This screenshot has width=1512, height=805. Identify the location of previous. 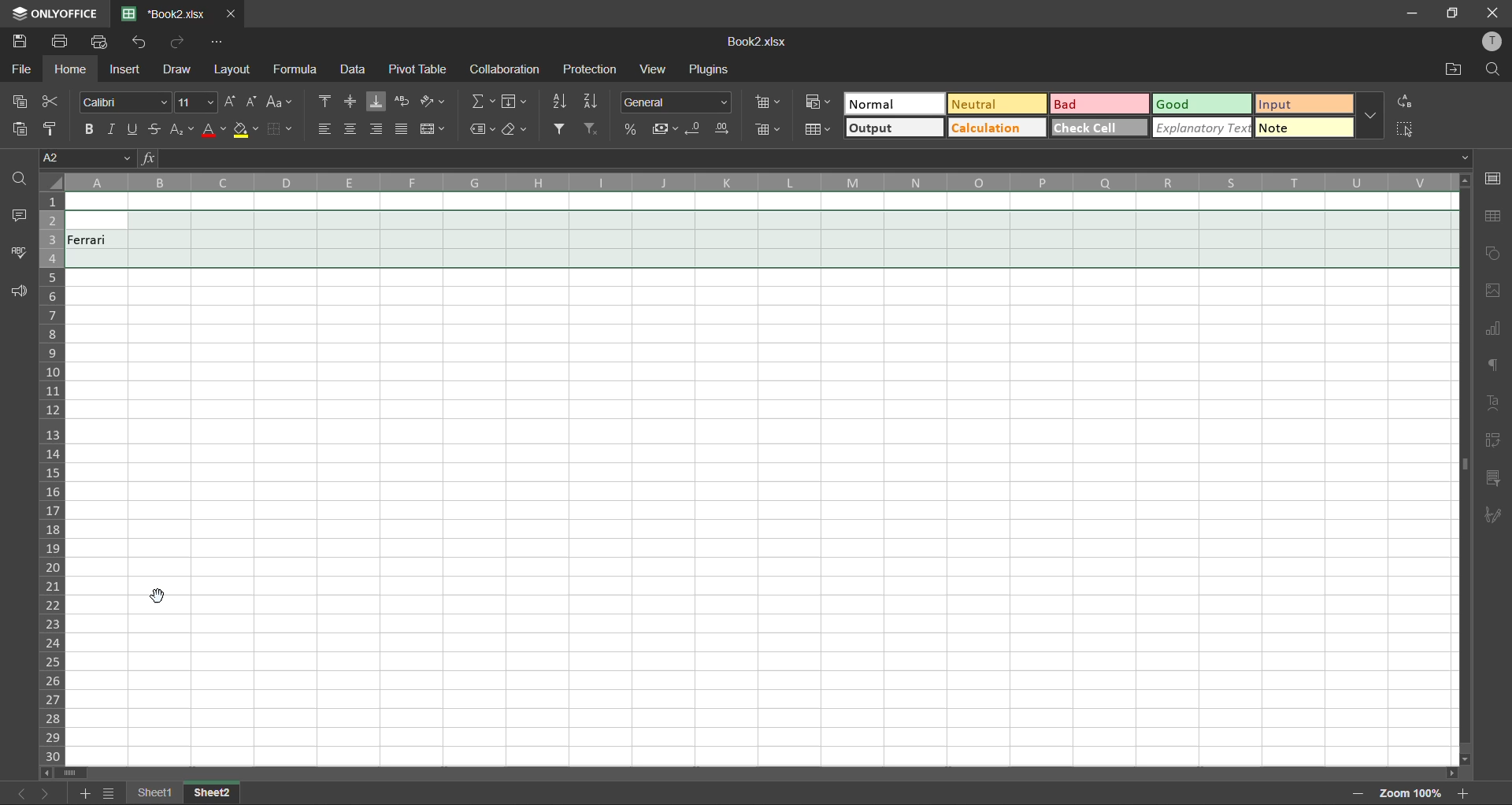
(17, 792).